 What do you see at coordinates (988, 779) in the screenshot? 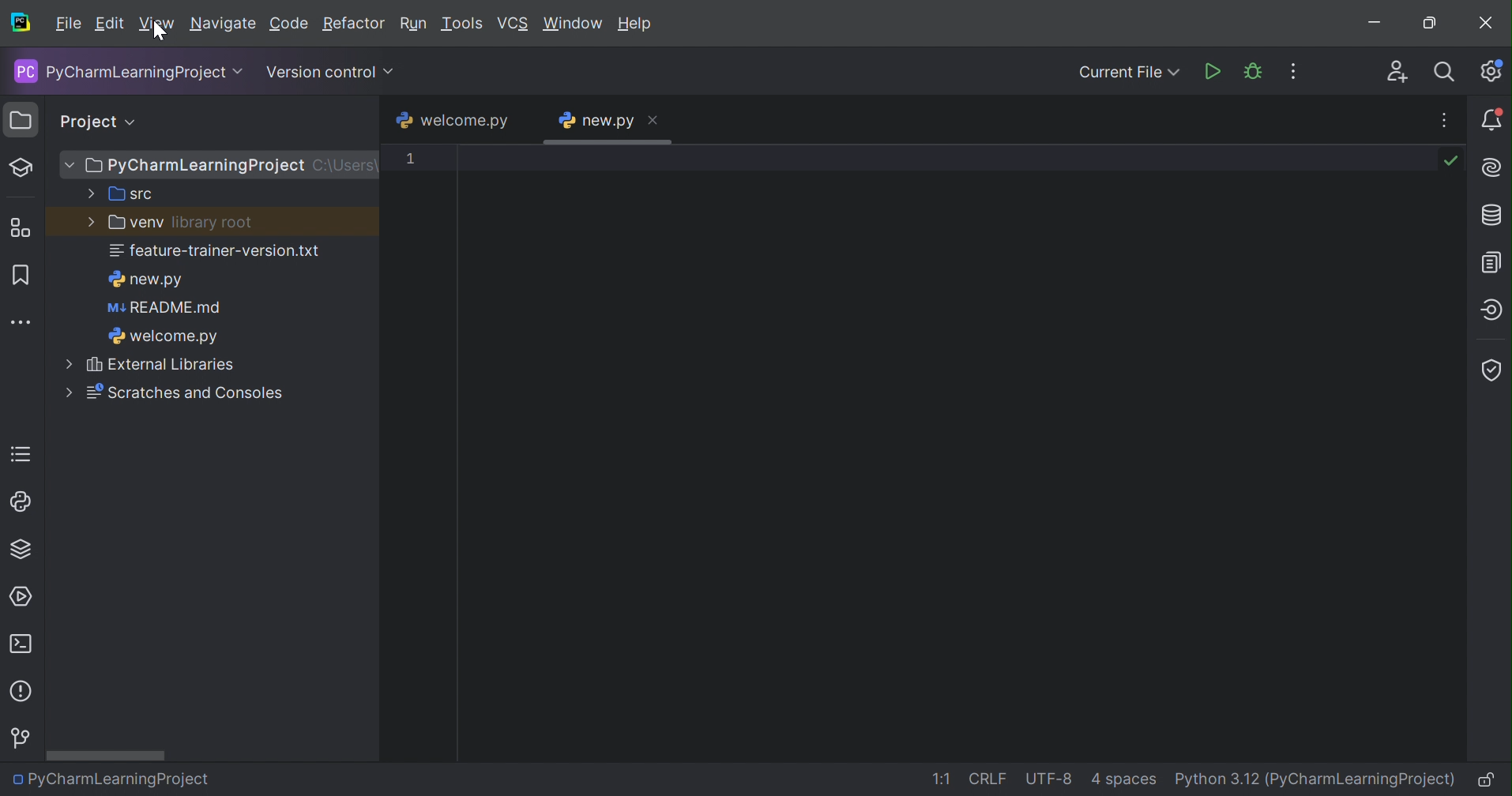
I see `CRLF` at bounding box center [988, 779].